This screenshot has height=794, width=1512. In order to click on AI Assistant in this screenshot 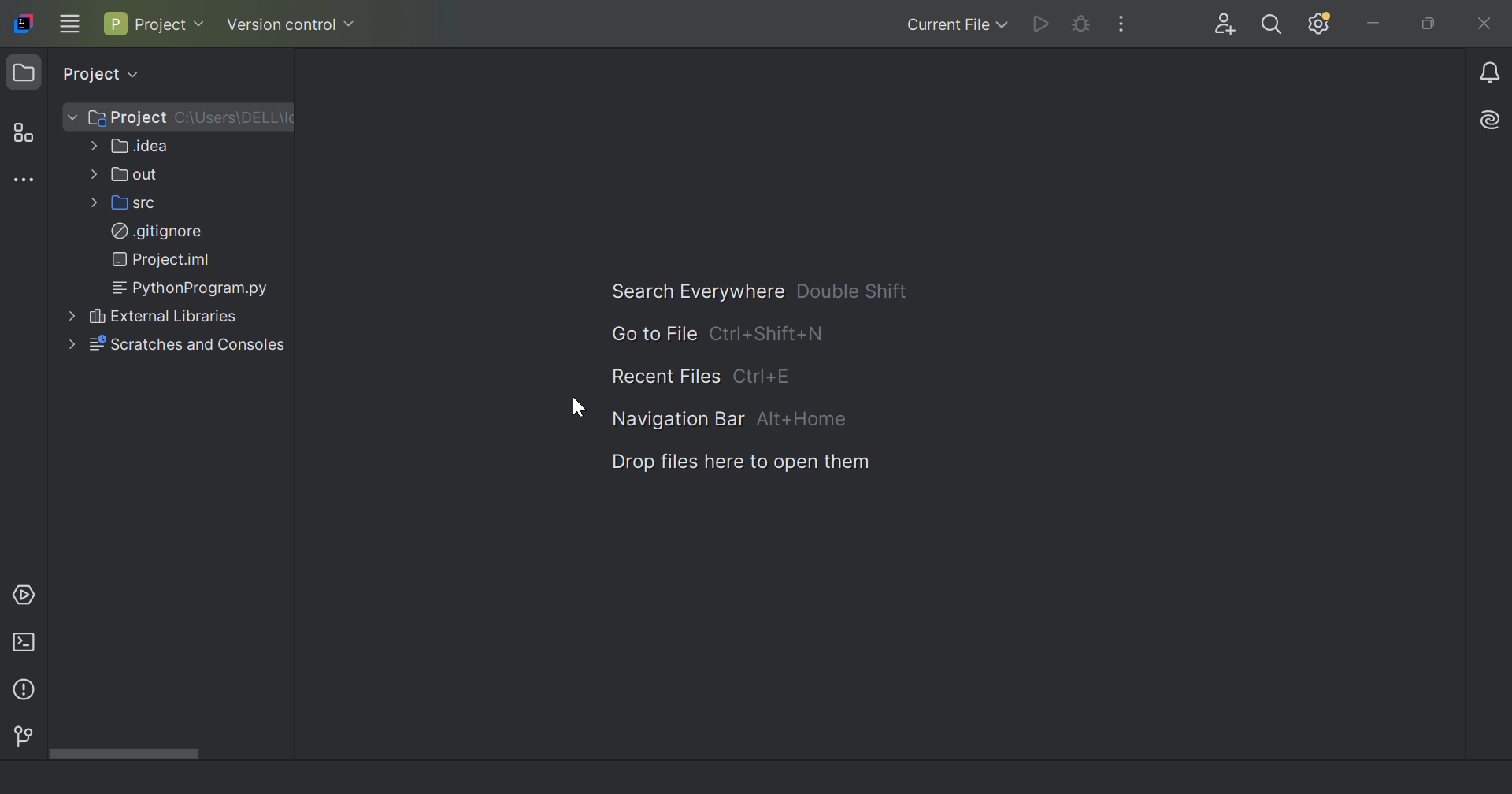, I will do `click(1493, 117)`.